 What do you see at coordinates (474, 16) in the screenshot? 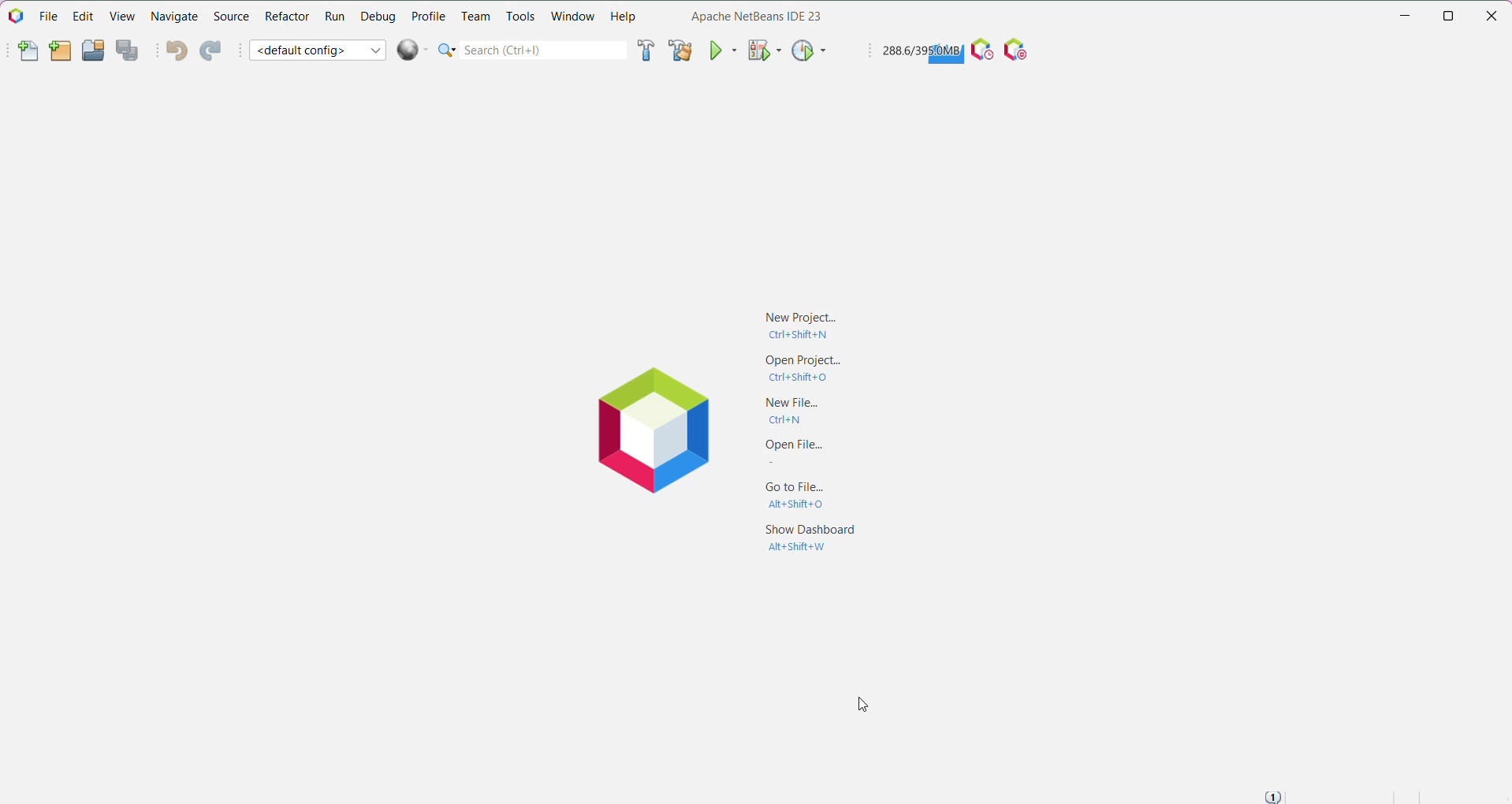
I see `Team` at bounding box center [474, 16].